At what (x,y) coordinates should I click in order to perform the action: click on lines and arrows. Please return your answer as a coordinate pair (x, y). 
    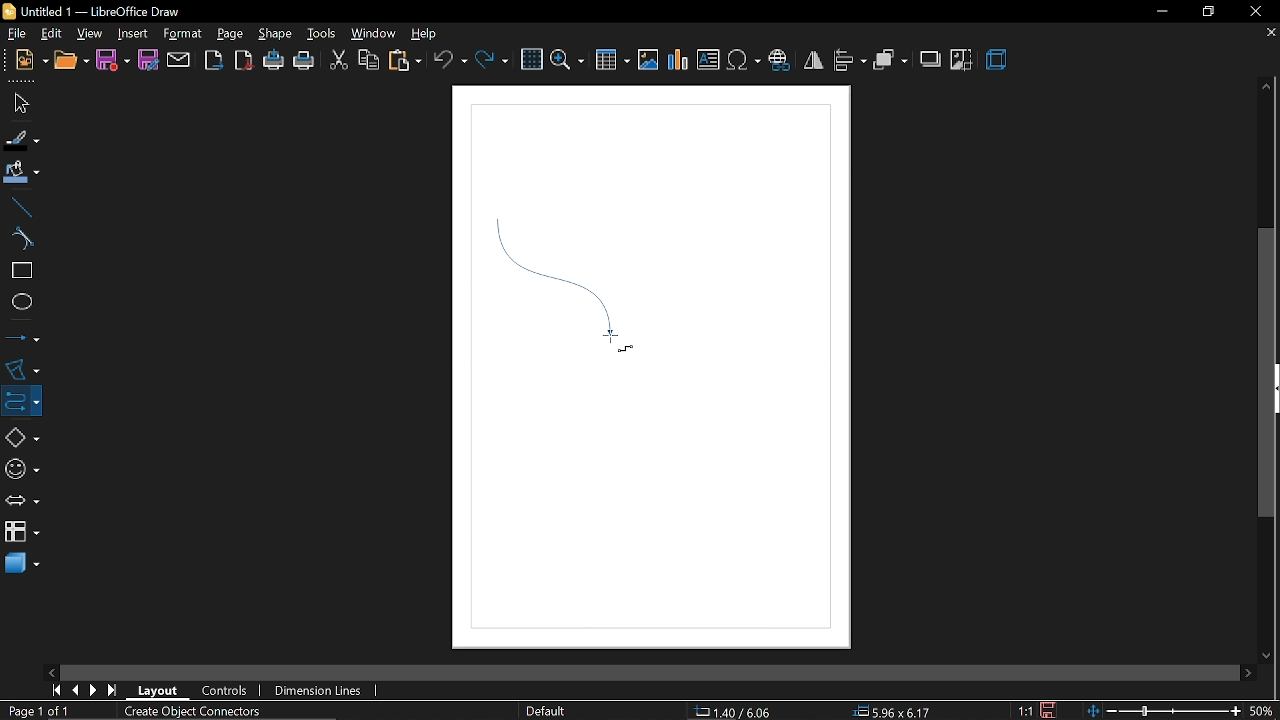
    Looking at the image, I should click on (22, 337).